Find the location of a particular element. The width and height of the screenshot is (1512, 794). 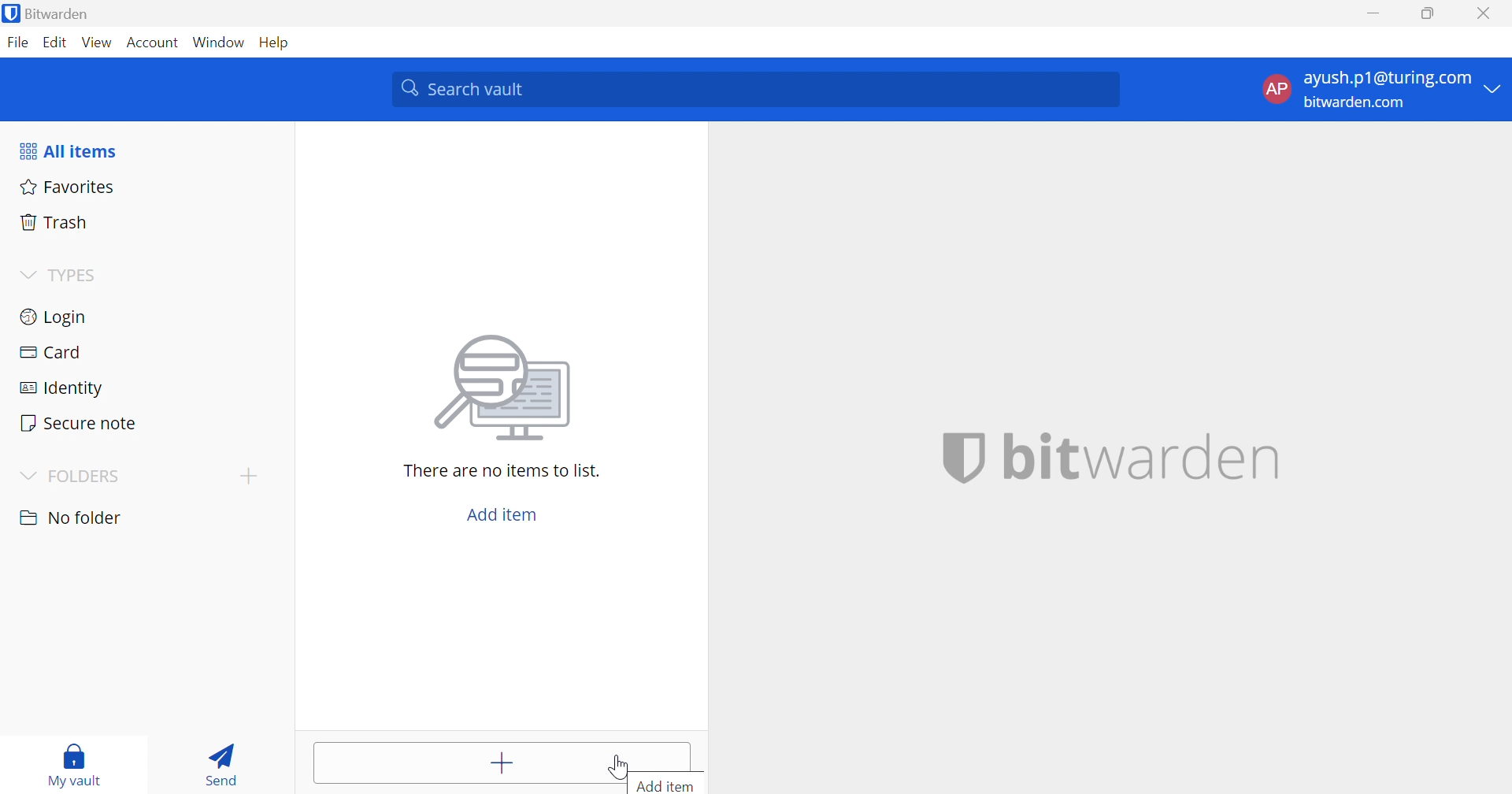

Login is located at coordinates (55, 315).